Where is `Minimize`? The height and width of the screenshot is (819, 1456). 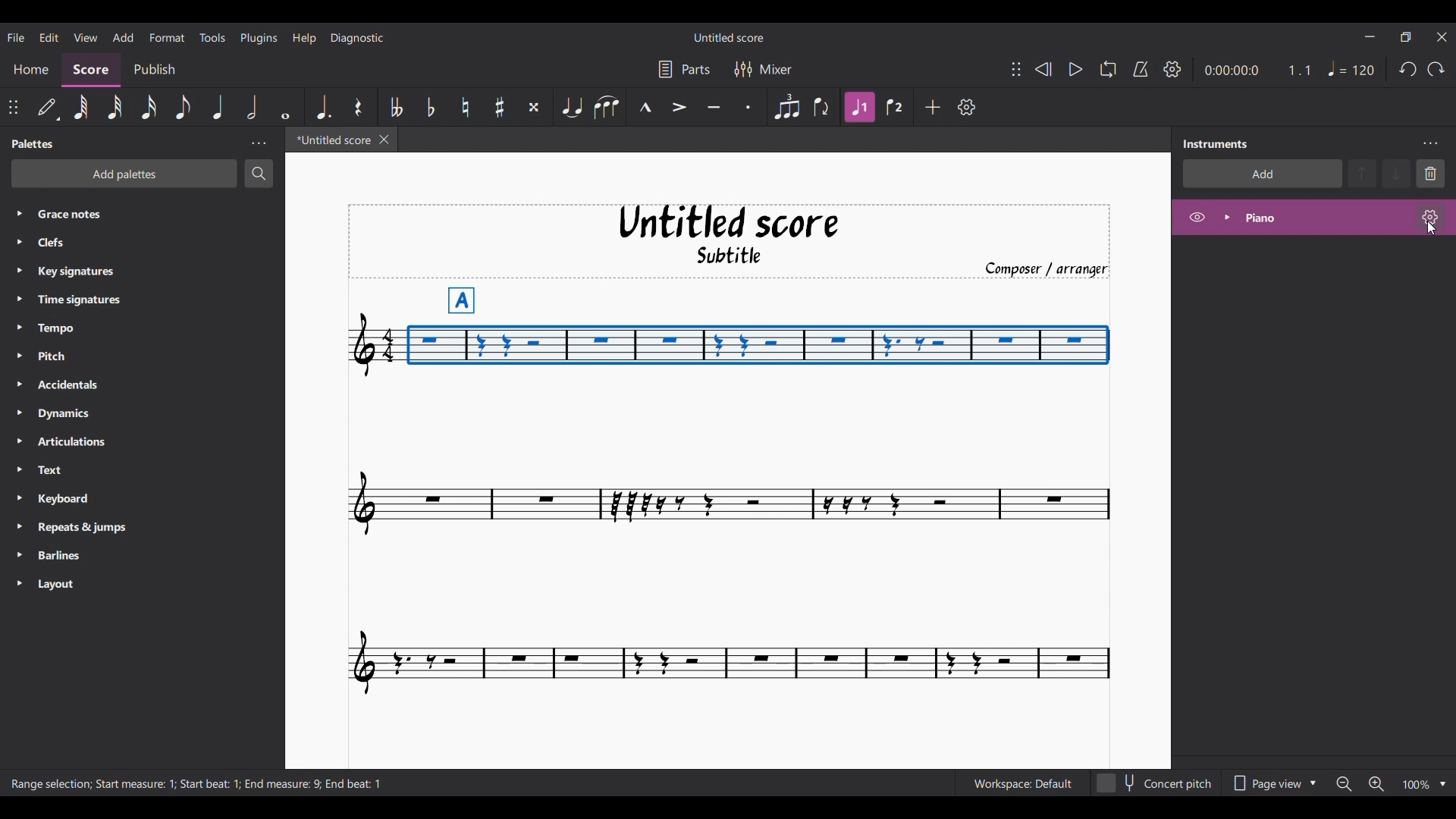
Minimize is located at coordinates (1369, 36).